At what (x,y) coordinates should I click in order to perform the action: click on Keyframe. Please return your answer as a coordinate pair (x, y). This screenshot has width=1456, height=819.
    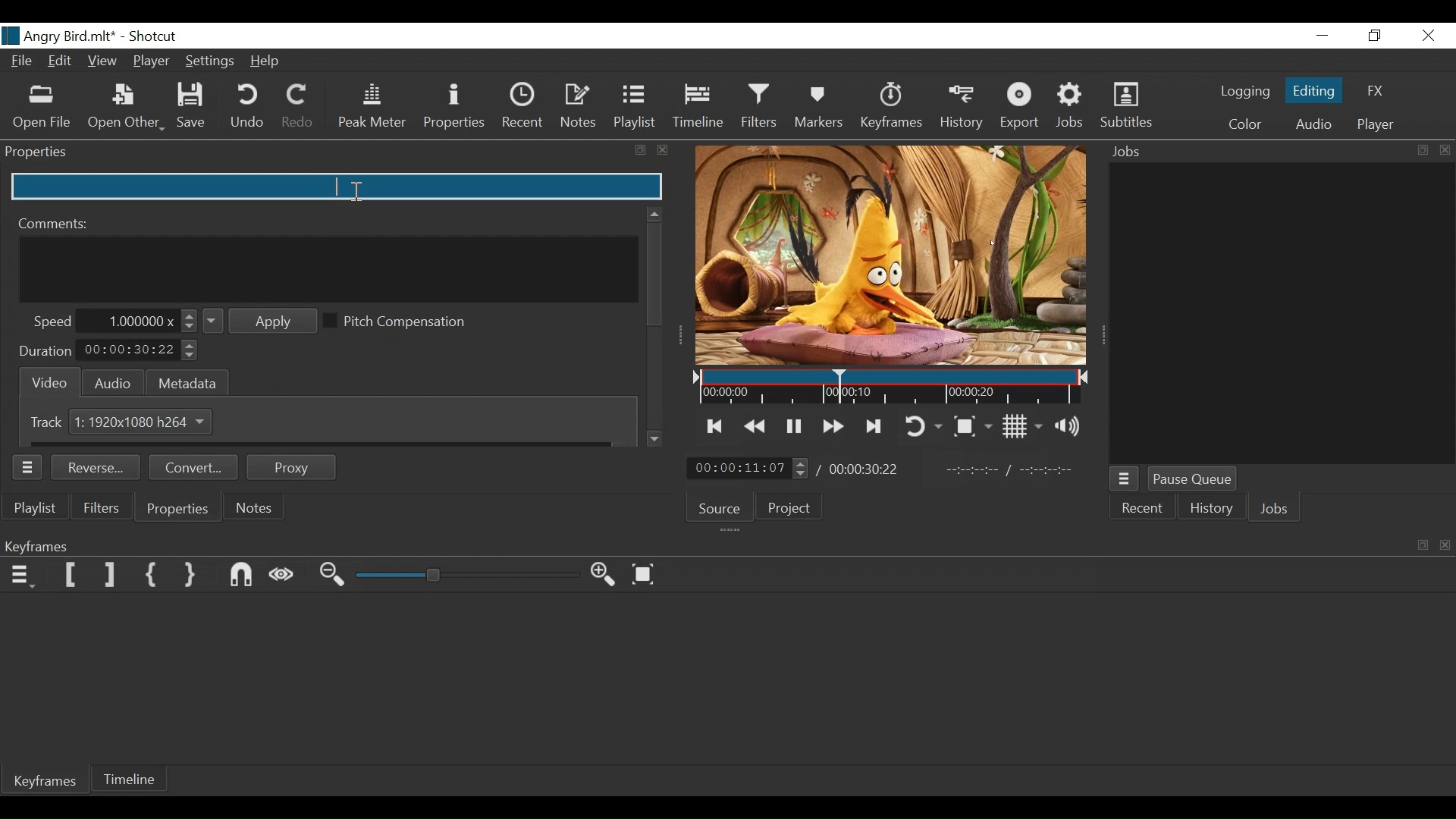
    Looking at the image, I should click on (893, 108).